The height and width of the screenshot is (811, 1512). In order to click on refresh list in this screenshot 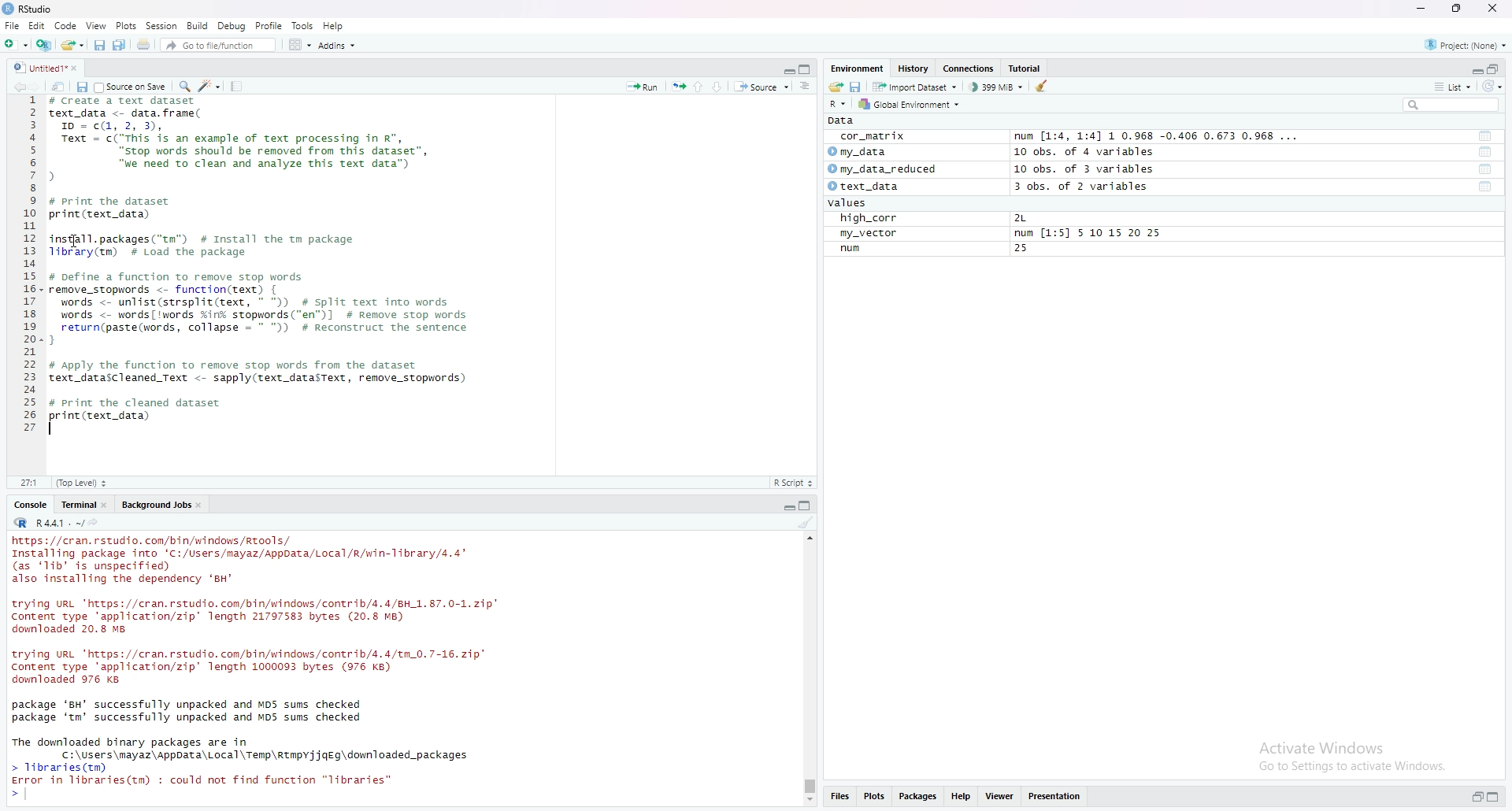, I will do `click(1494, 87)`.